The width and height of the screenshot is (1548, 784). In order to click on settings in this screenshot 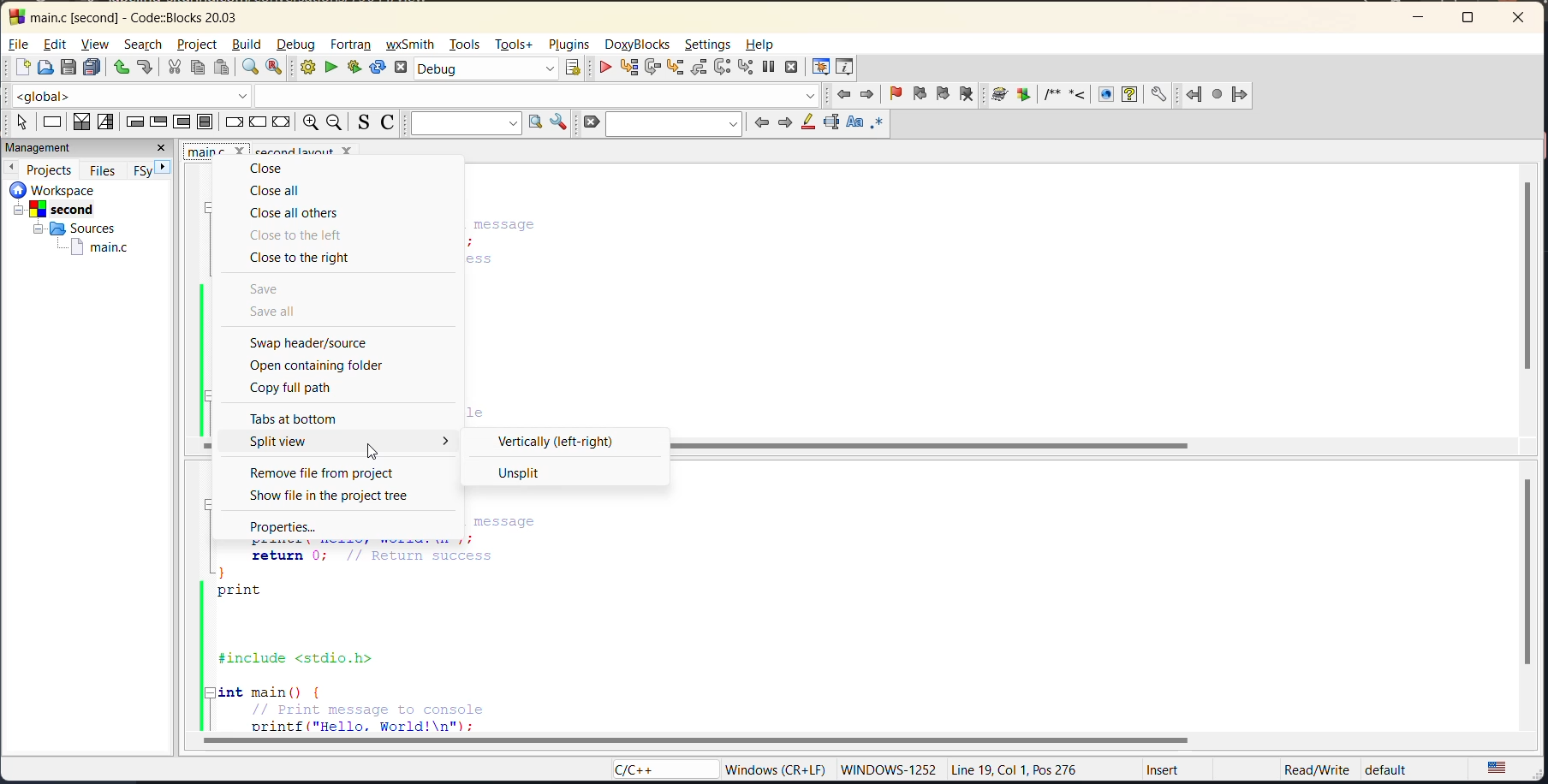, I will do `click(709, 45)`.